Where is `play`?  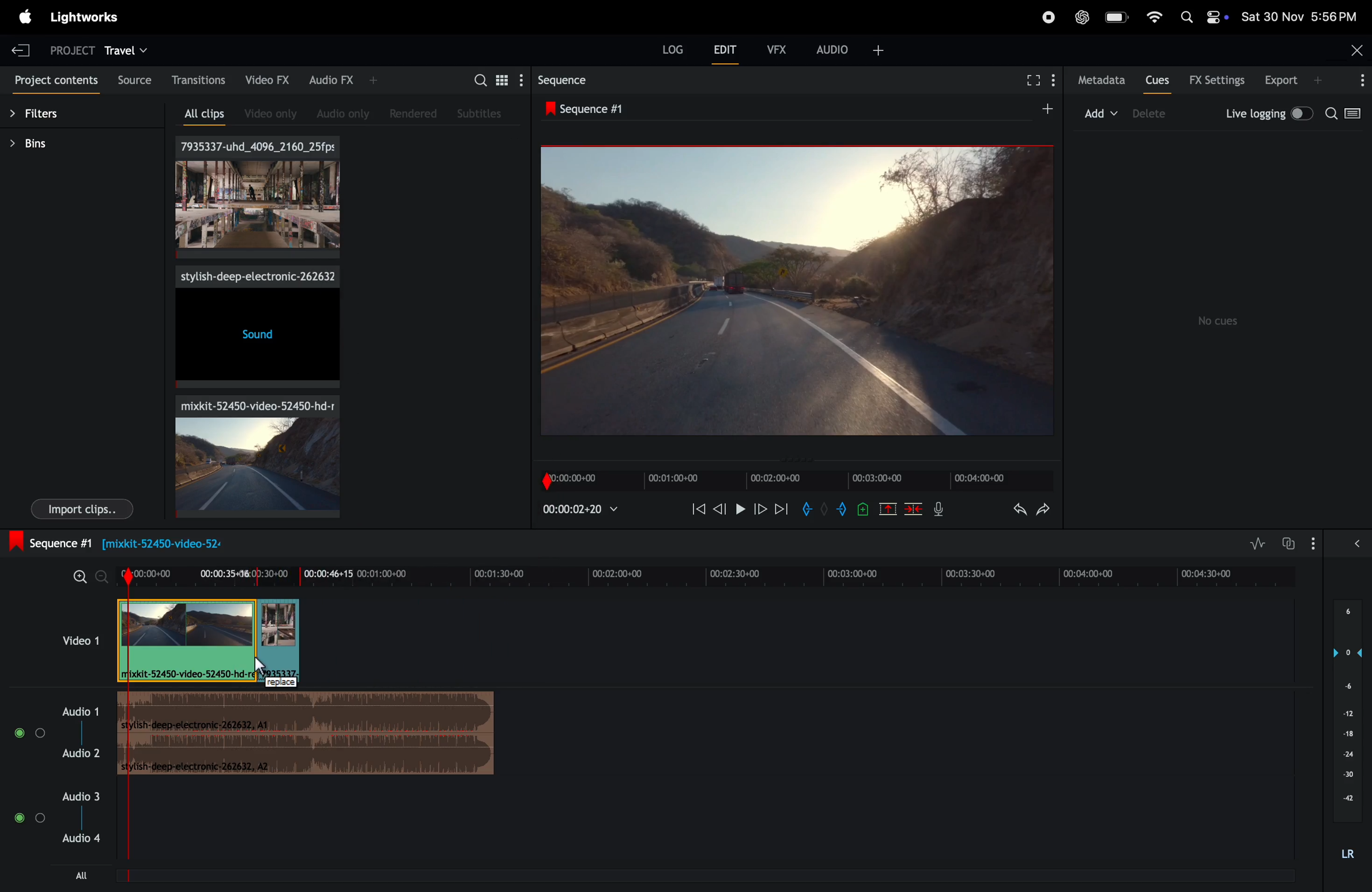
play is located at coordinates (740, 510).